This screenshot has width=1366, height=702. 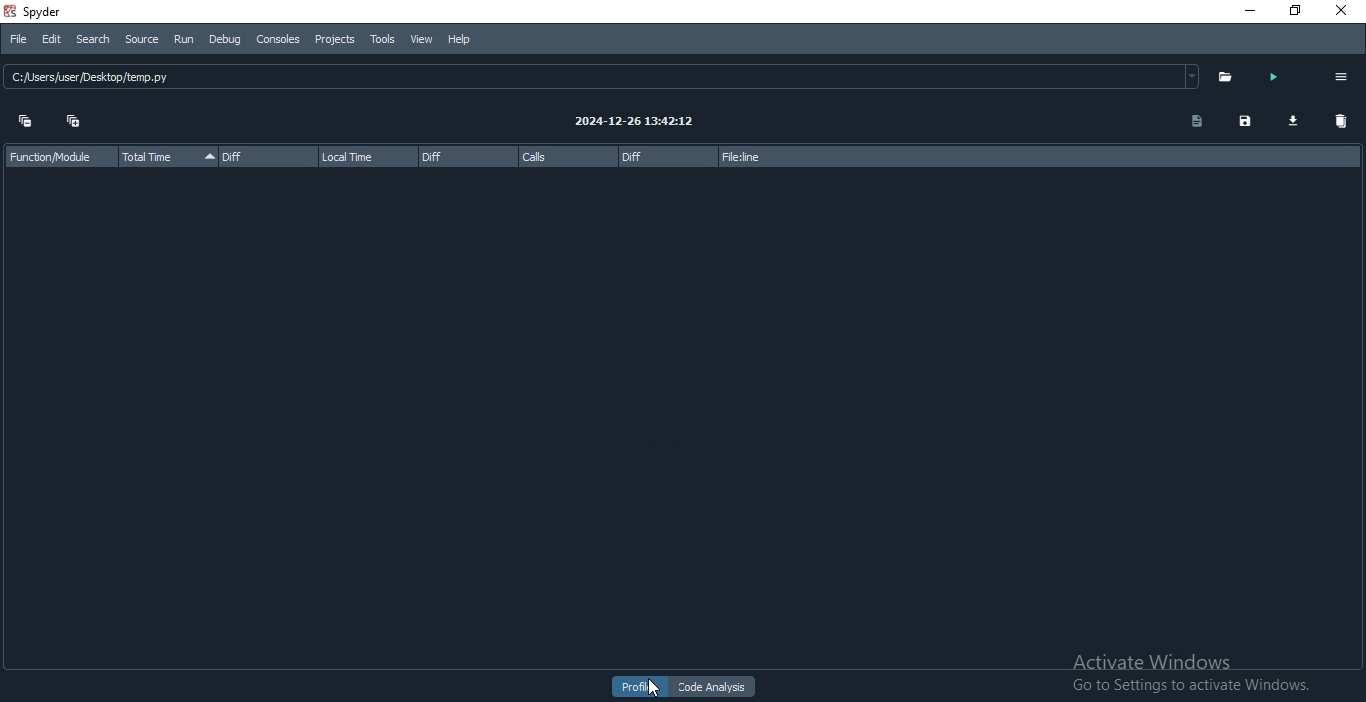 I want to click on diff, so click(x=265, y=155).